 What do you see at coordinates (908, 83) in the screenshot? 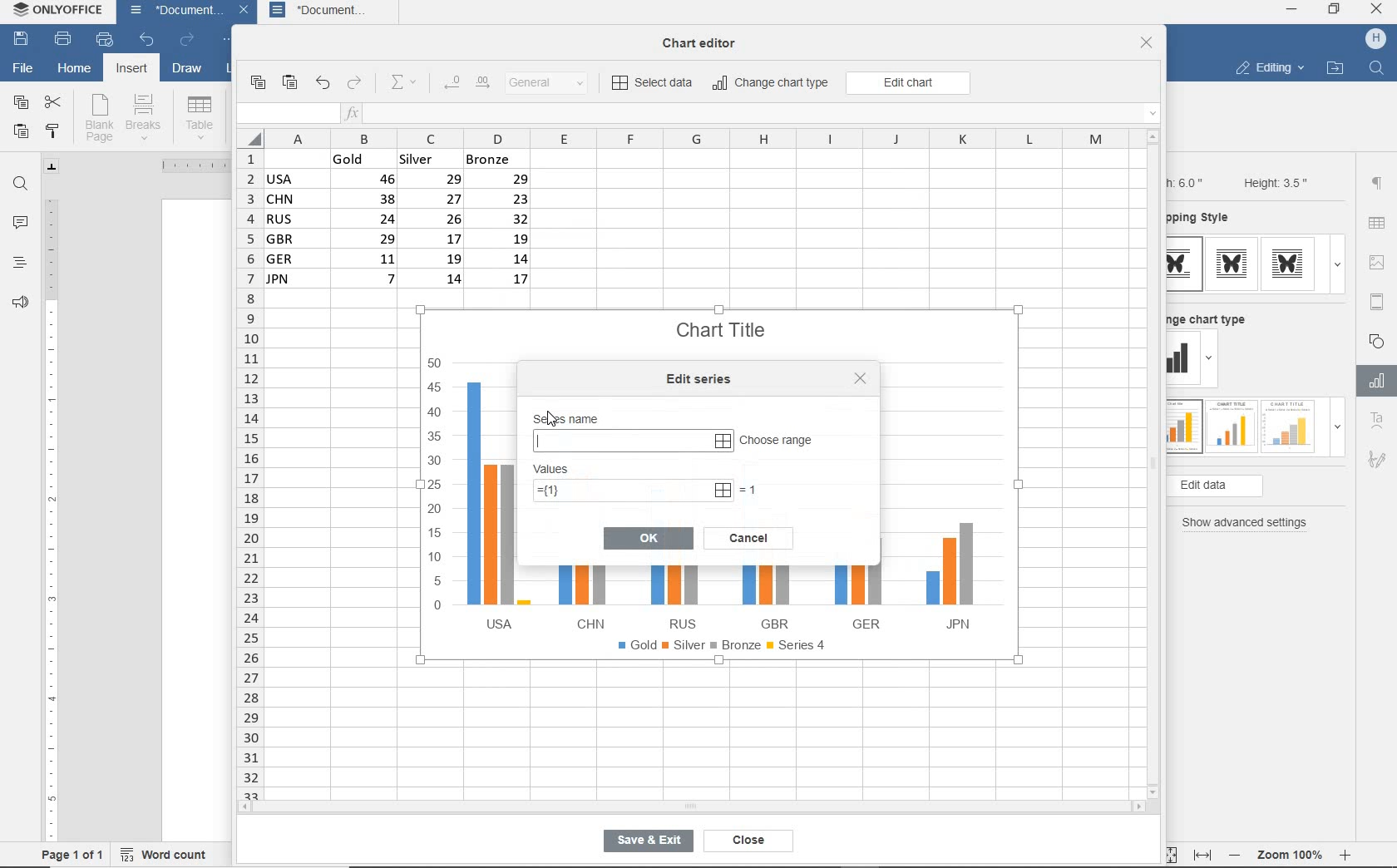
I see `edit chart` at bounding box center [908, 83].